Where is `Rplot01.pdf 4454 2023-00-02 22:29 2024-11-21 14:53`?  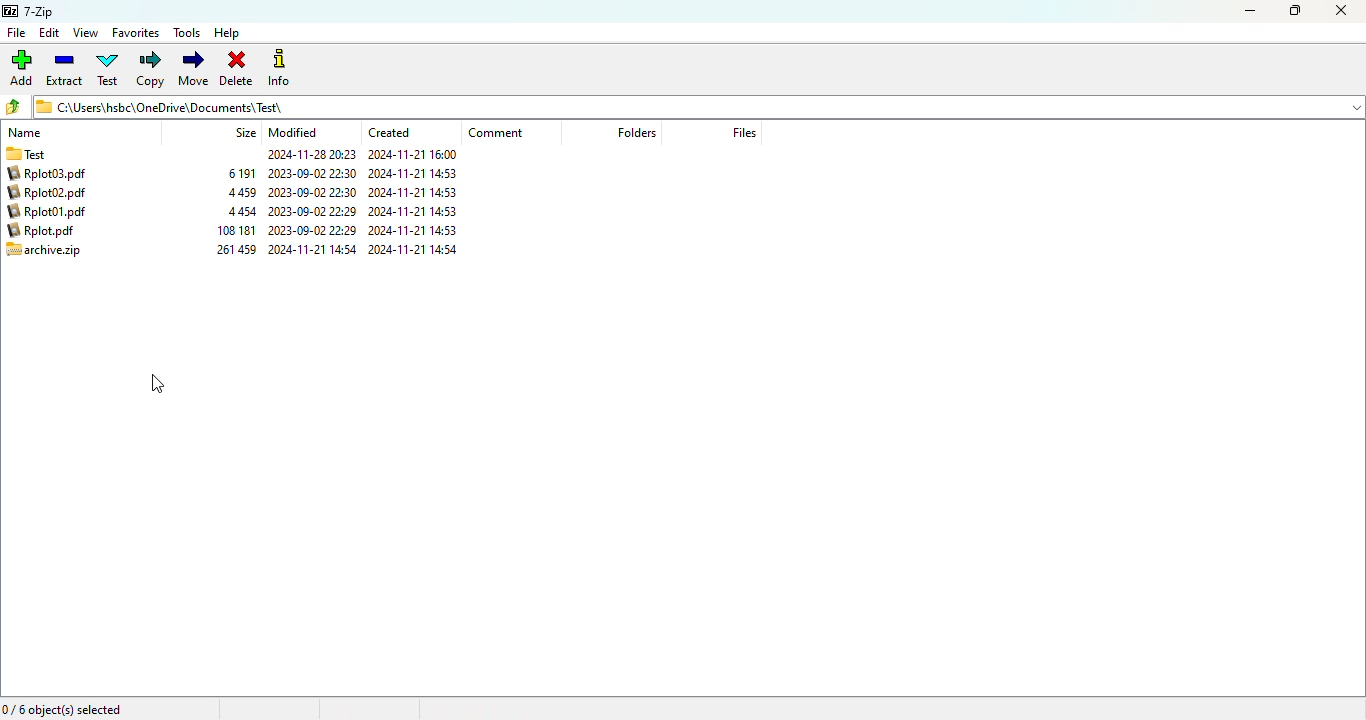
Rplot01.pdf 4454 2023-00-02 22:29 2024-11-21 14:53 is located at coordinates (53, 229).